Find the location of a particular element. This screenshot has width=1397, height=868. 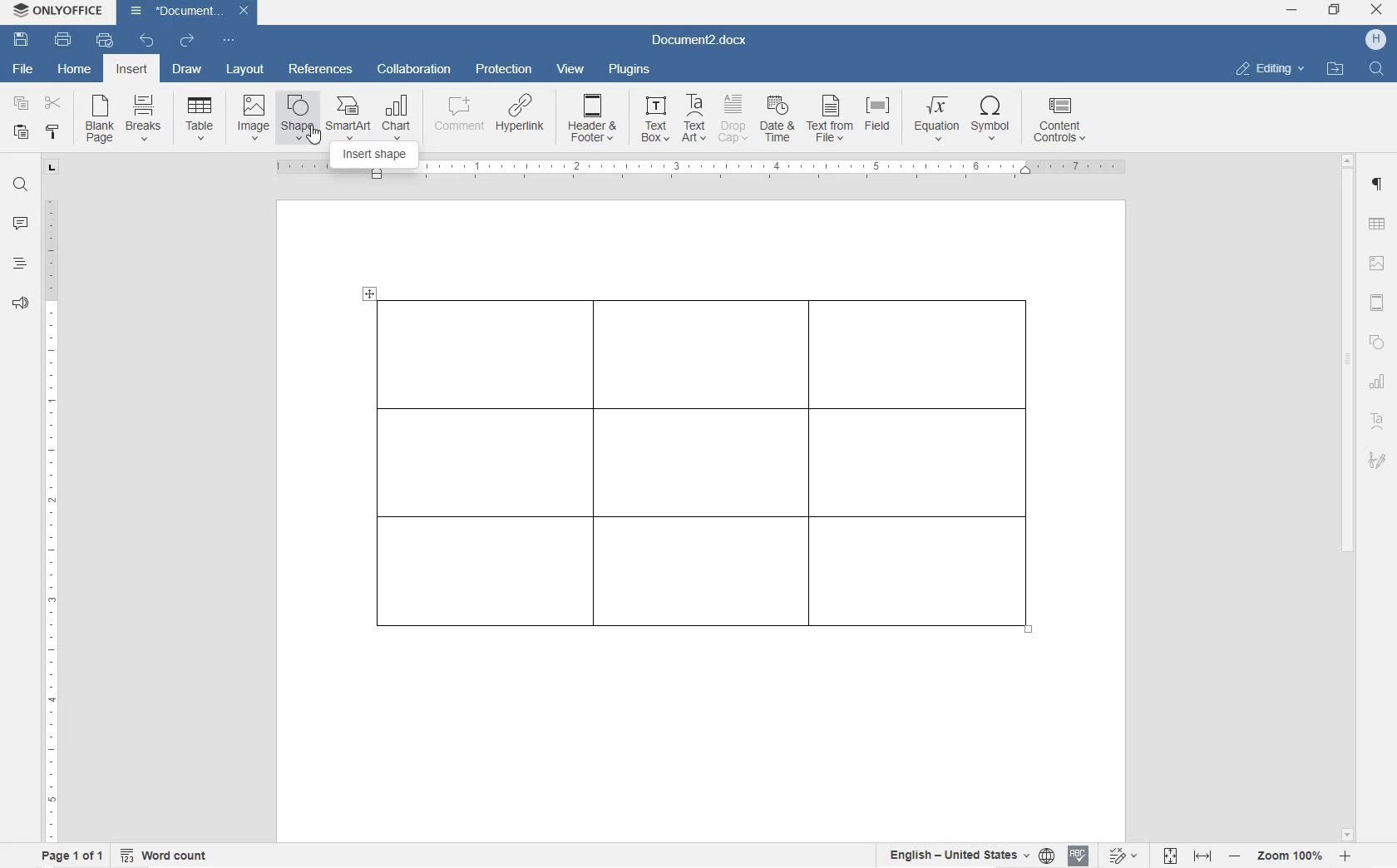

INSERT SHAPE is located at coordinates (297, 121).